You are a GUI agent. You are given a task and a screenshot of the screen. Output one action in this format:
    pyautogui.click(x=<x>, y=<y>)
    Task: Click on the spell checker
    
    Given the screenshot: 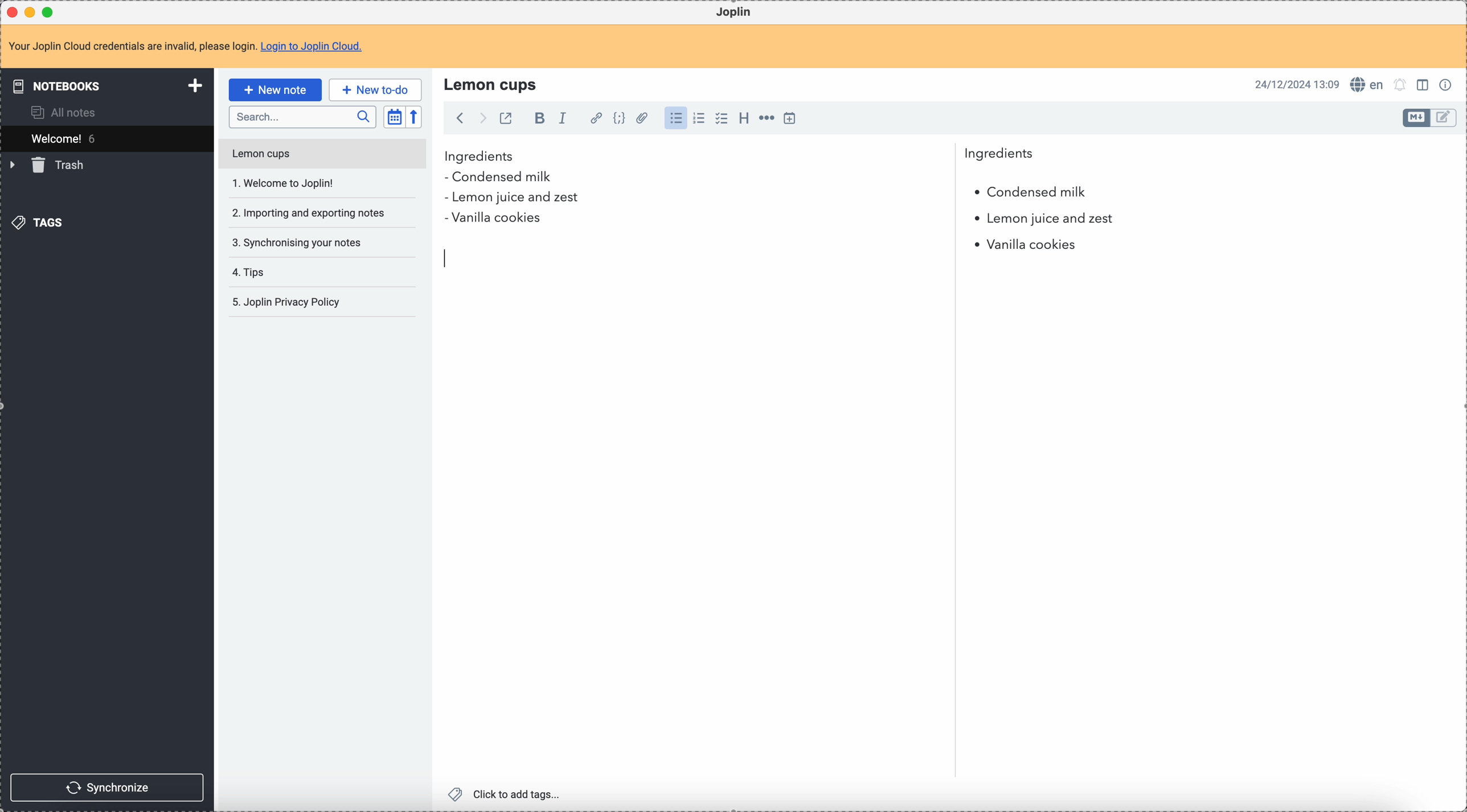 What is the action you would take?
    pyautogui.click(x=1370, y=84)
    